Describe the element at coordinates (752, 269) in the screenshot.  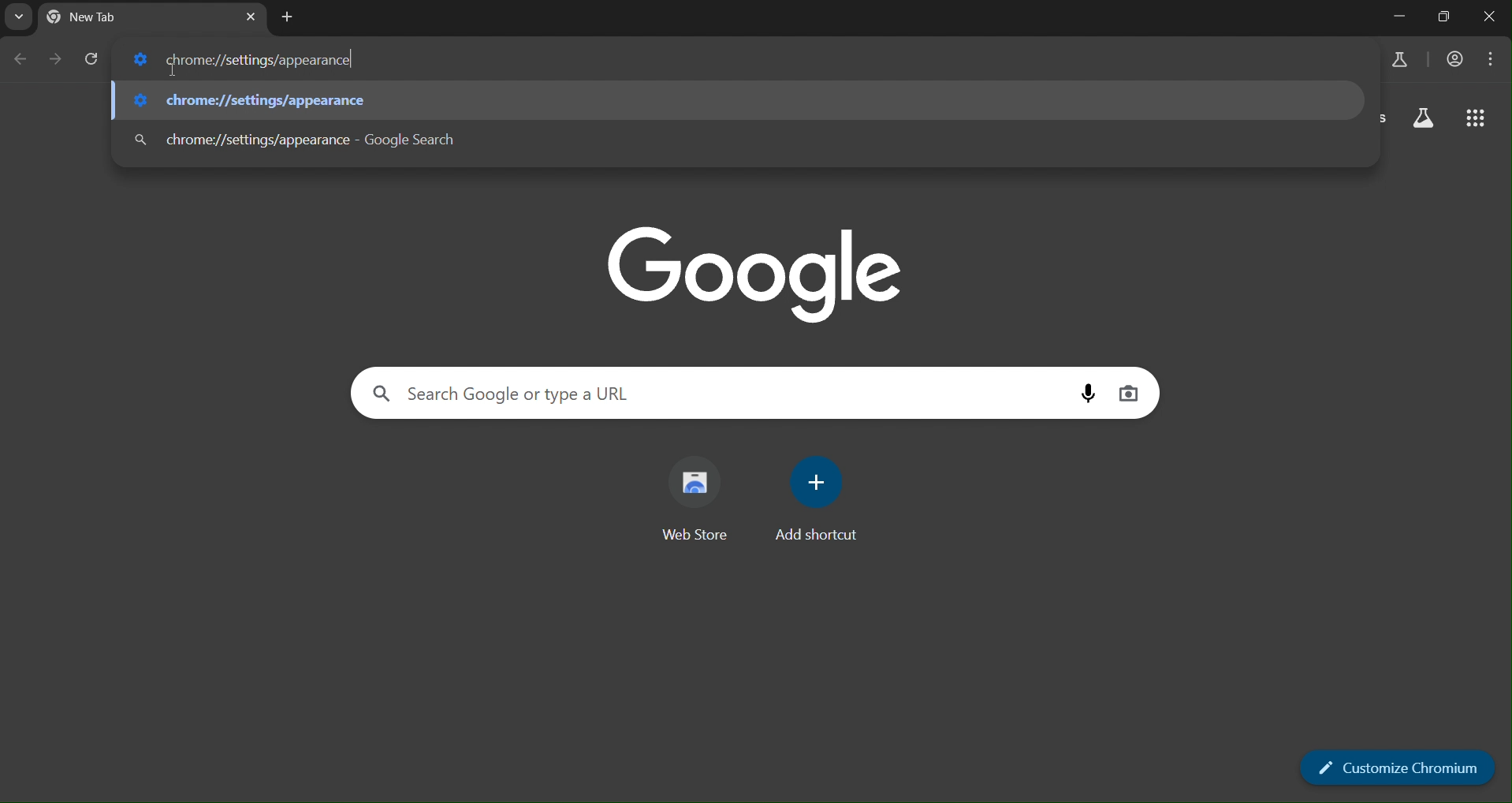
I see `google` at that location.